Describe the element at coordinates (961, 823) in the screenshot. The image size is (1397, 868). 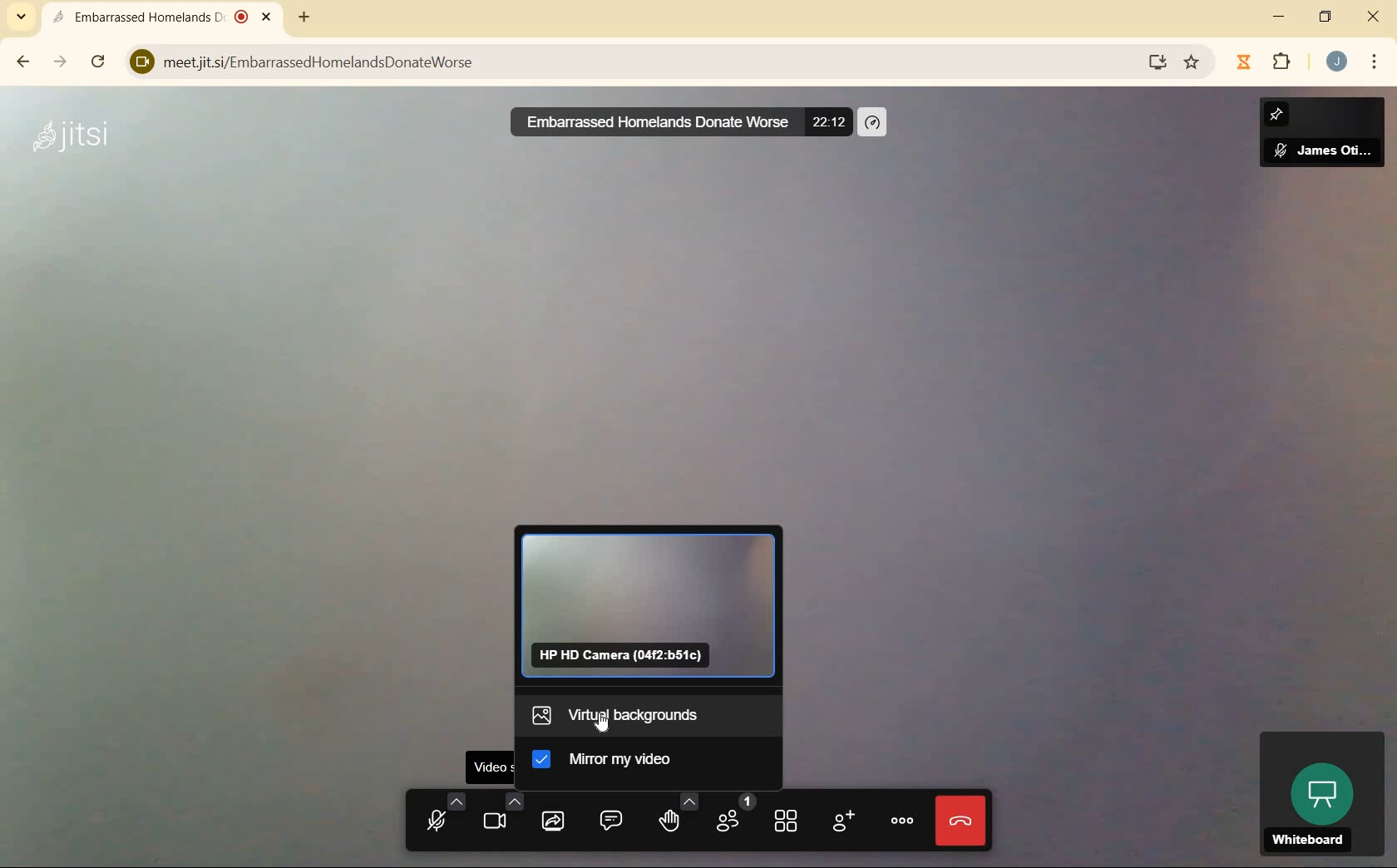
I see `leave meeting` at that location.